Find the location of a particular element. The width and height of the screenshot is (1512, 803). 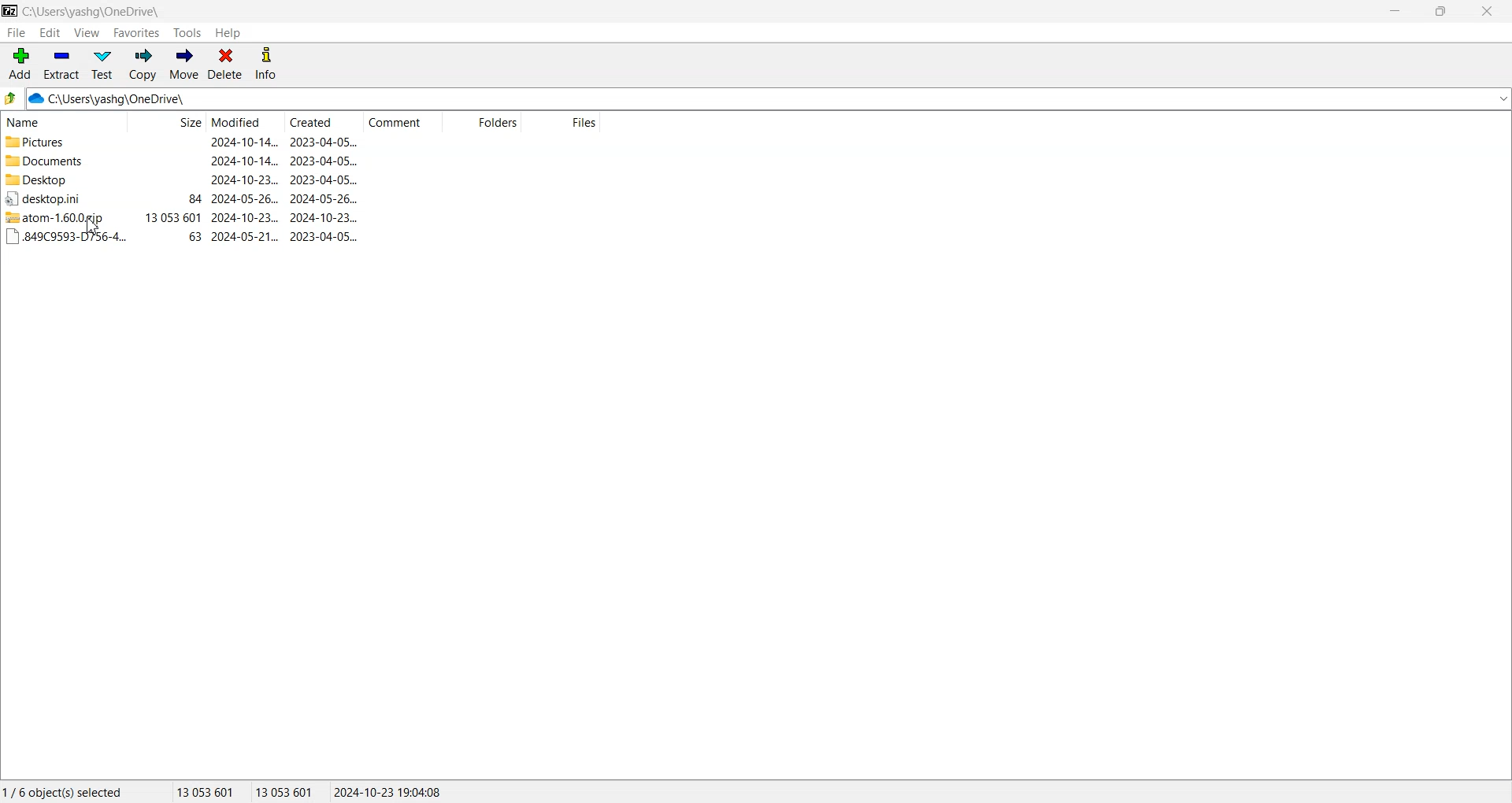

Extract is located at coordinates (61, 64).